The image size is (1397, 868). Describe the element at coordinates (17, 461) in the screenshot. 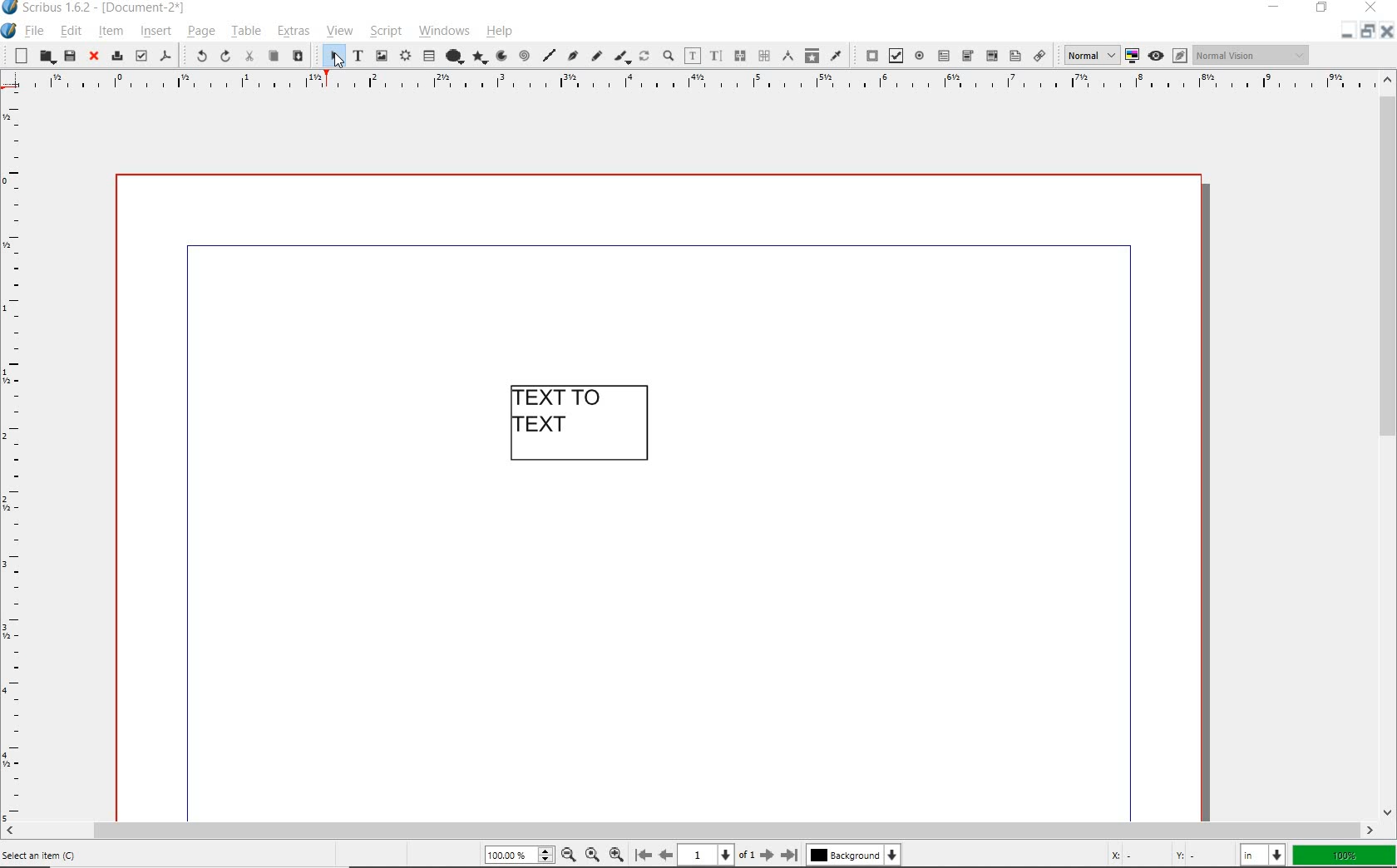

I see `ruler` at that location.